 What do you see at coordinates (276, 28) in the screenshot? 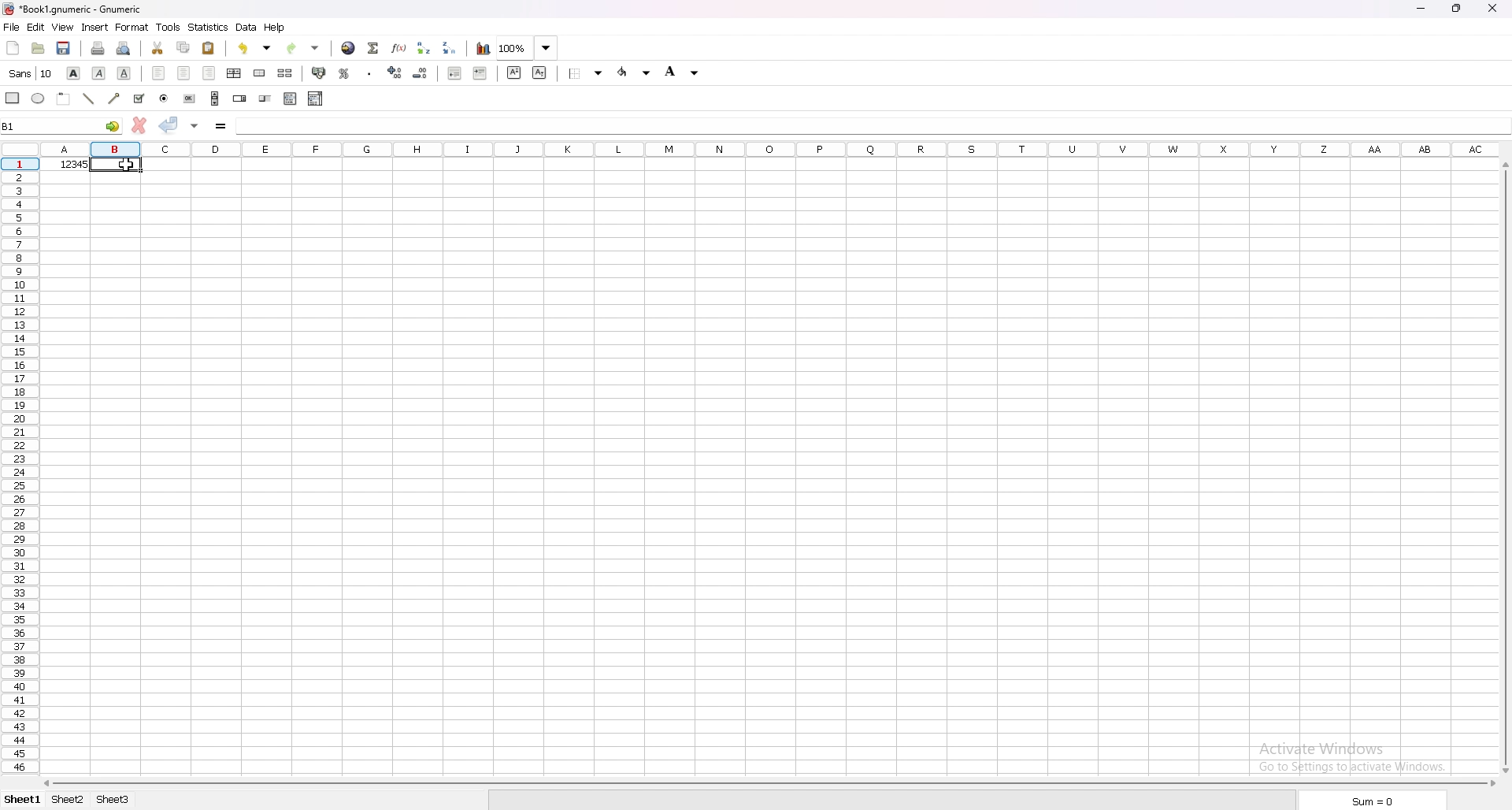
I see `help` at bounding box center [276, 28].